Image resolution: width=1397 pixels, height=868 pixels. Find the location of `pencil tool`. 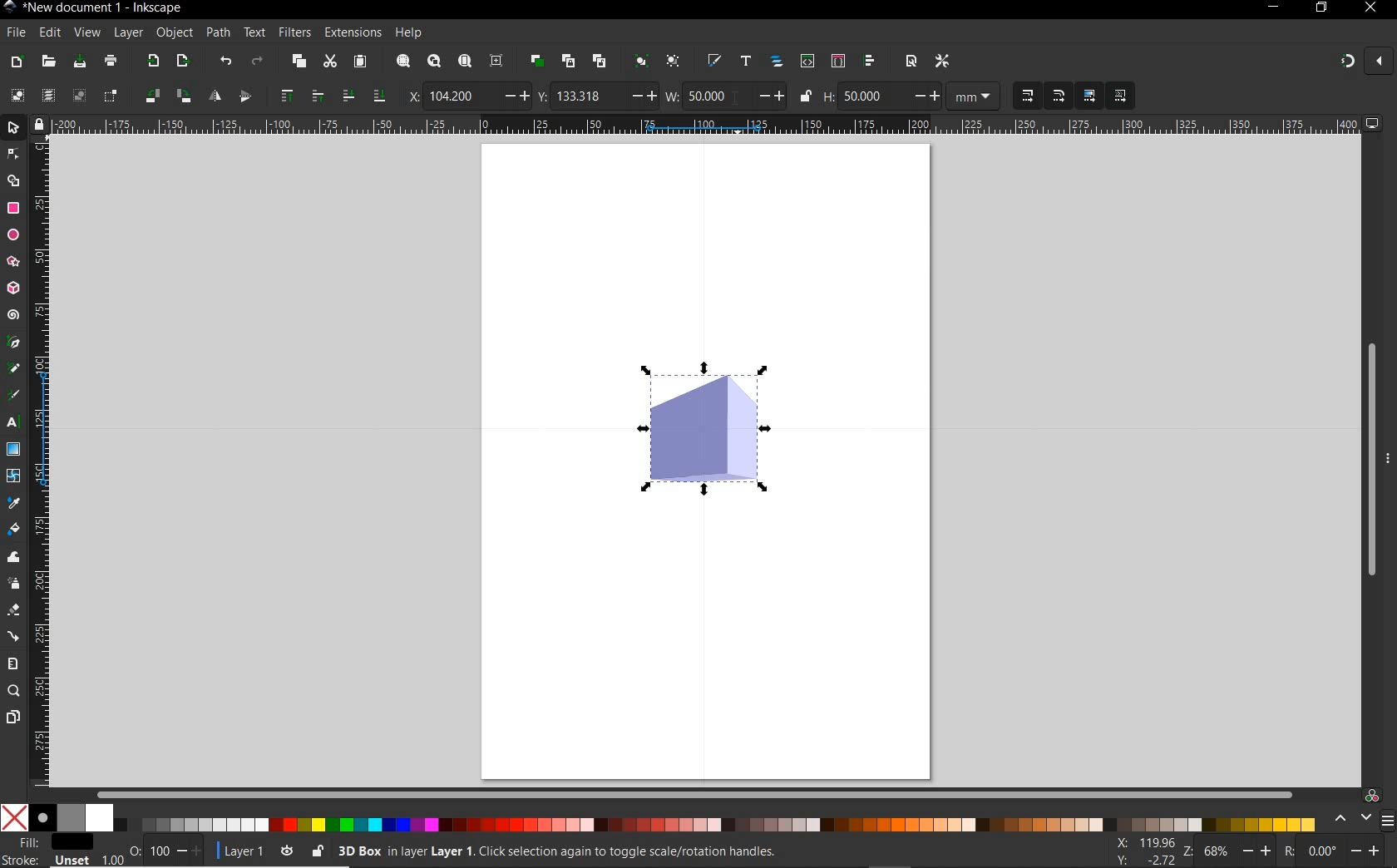

pencil tool is located at coordinates (11, 369).